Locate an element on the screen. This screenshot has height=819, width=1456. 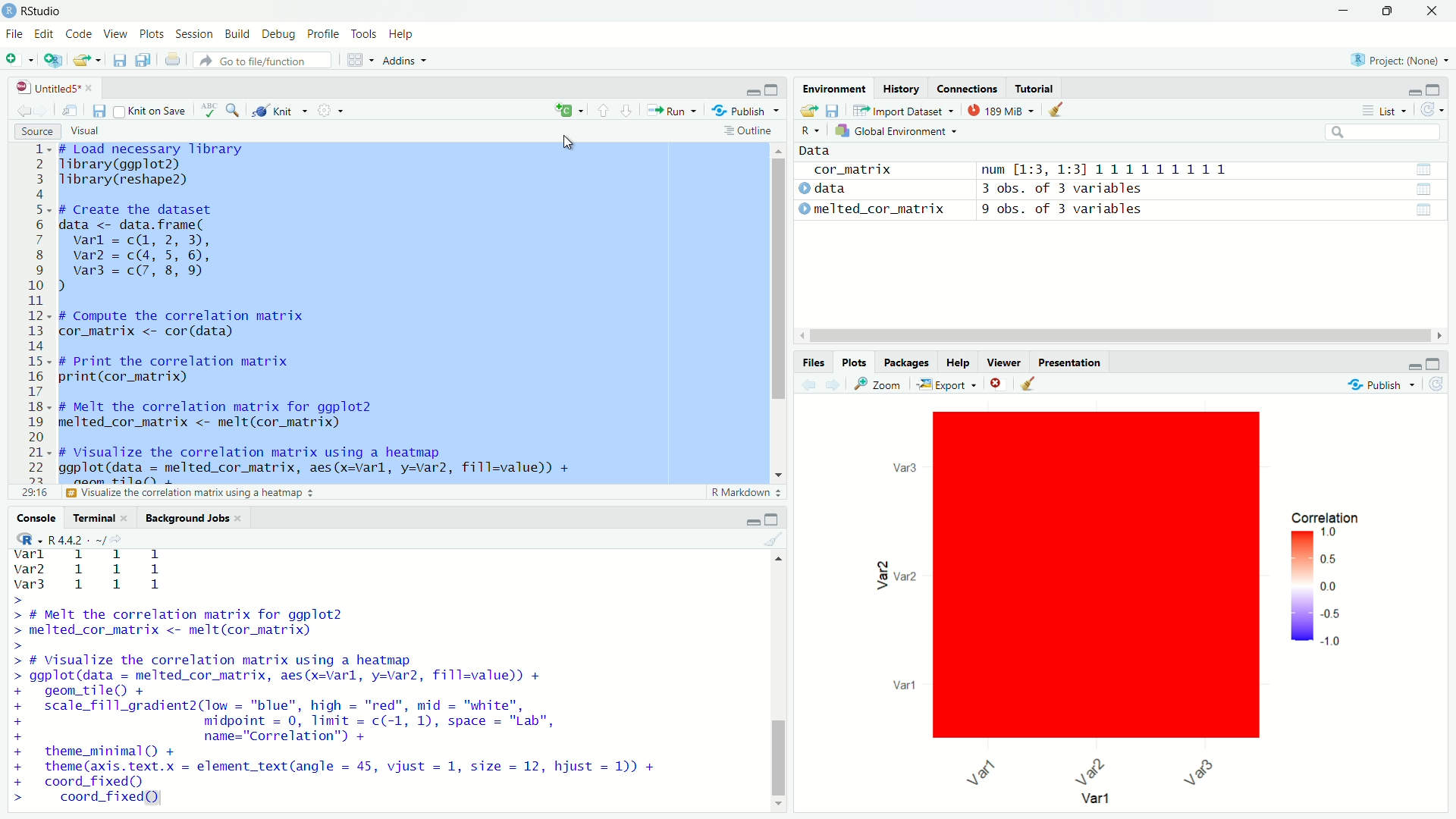
visual is located at coordinates (86, 131).